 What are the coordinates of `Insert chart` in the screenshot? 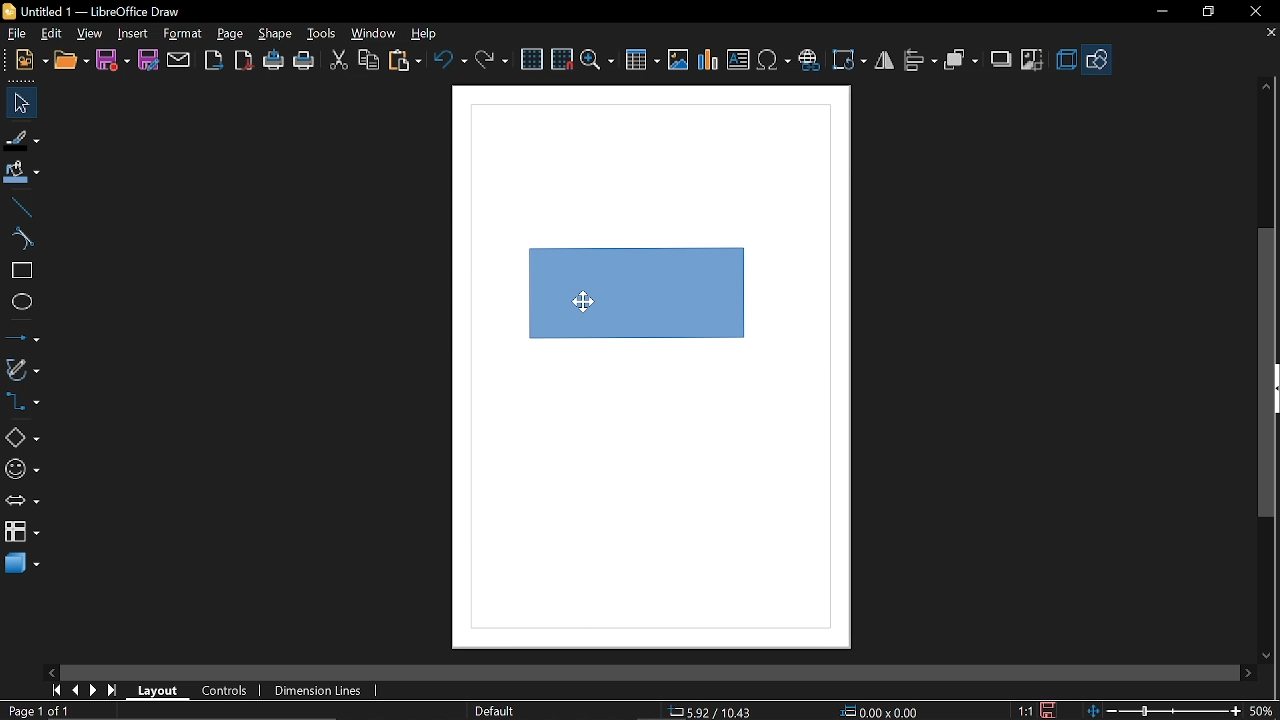 It's located at (707, 60).